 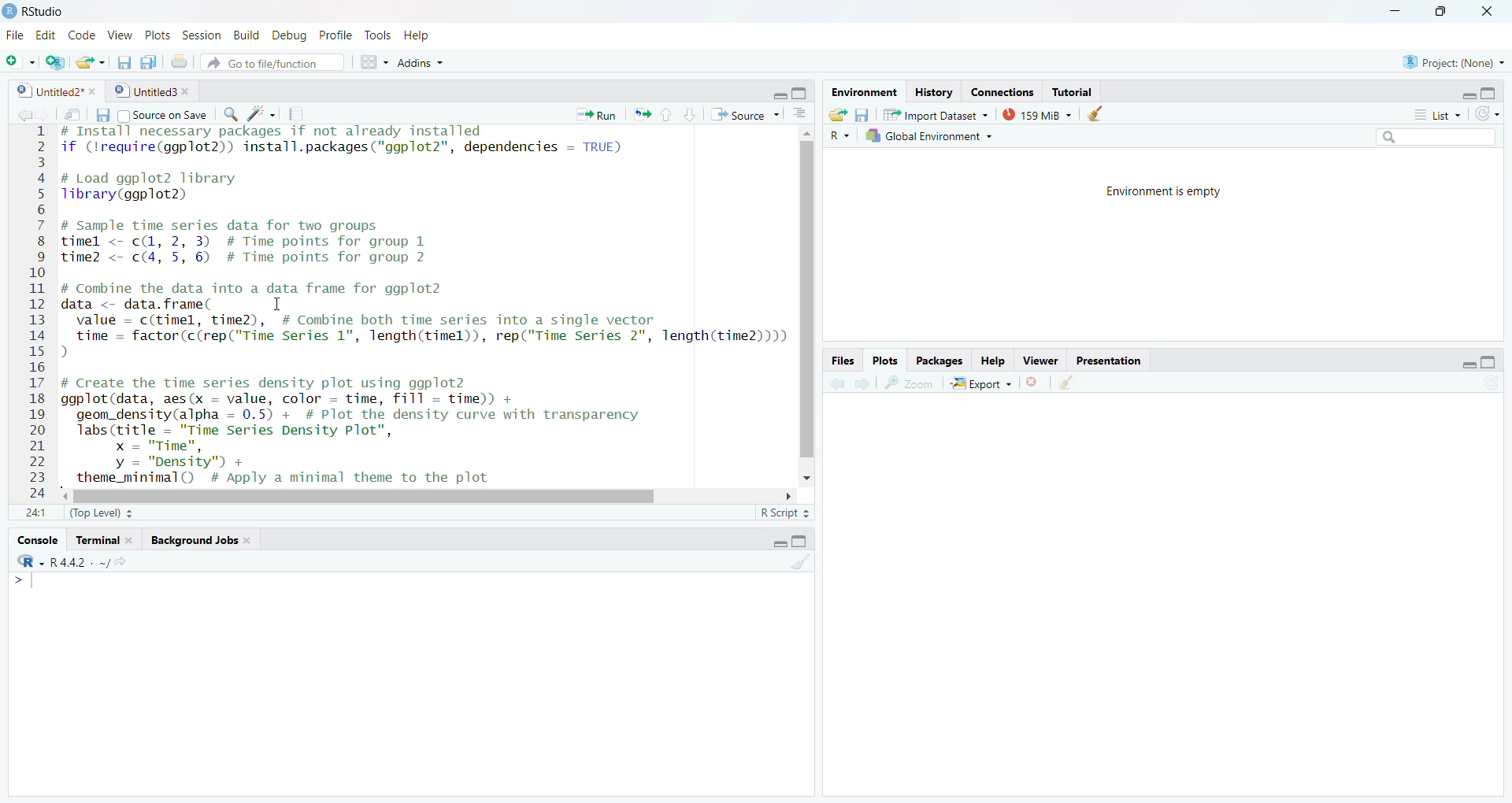 What do you see at coordinates (344, 143) in the screenshot?
I see `# Install necessary packages if not already installed if (Irequire(ggplot2)) install.packages("ggplot2", dependencies = TRUE)` at bounding box center [344, 143].